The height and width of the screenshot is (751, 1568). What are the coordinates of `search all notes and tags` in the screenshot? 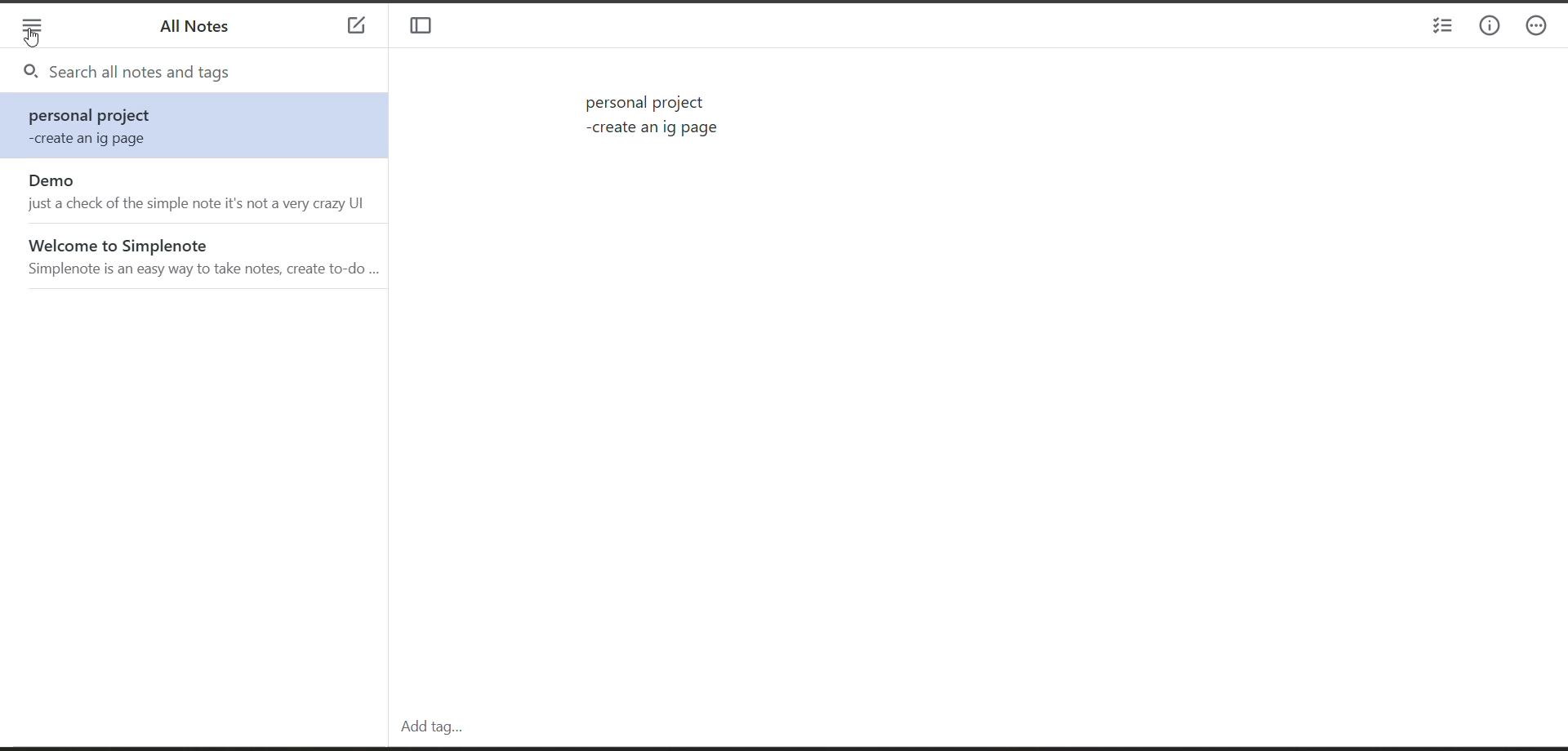 It's located at (209, 73).